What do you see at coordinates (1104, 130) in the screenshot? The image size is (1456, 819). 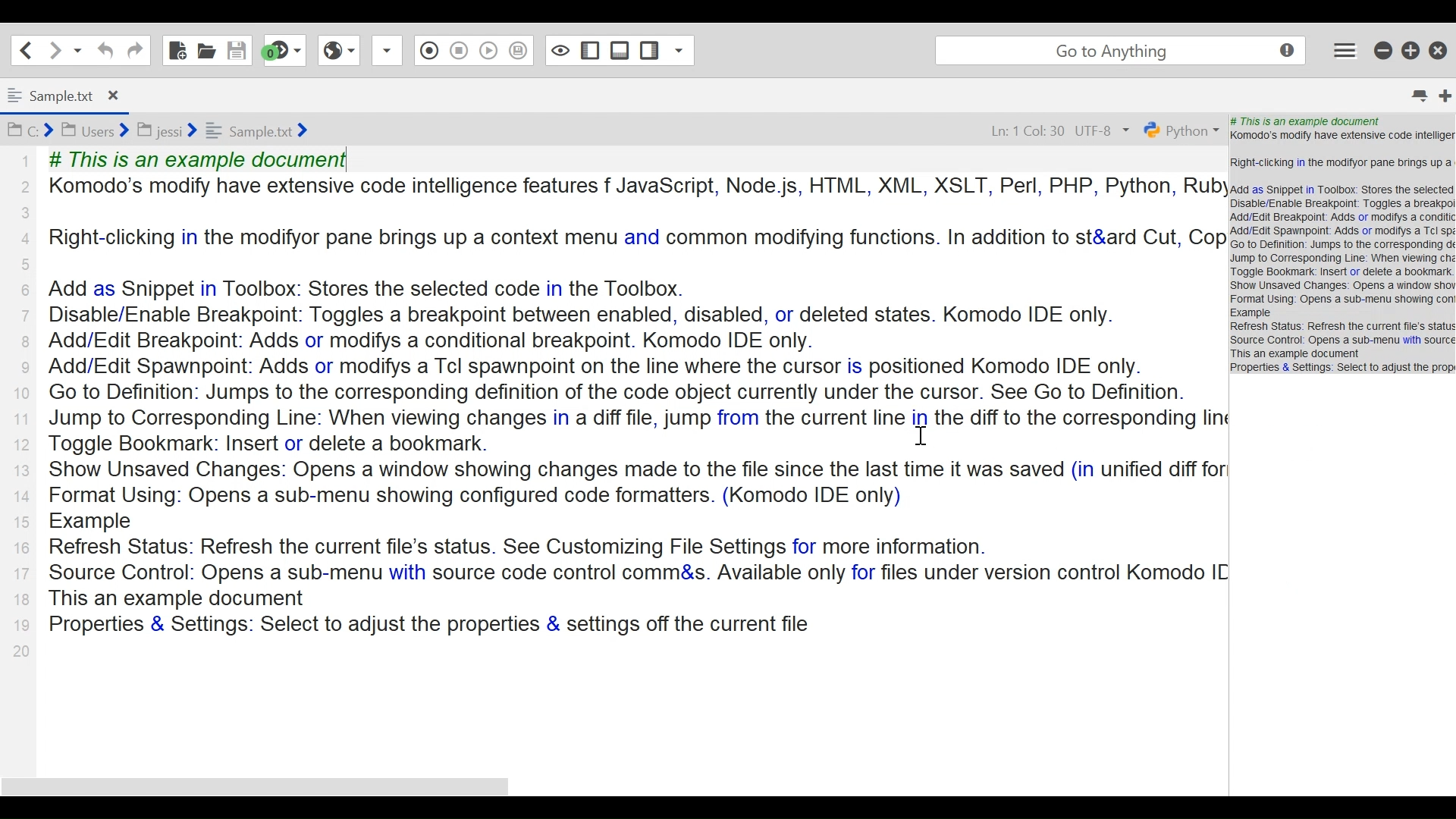 I see `UTF-8` at bounding box center [1104, 130].